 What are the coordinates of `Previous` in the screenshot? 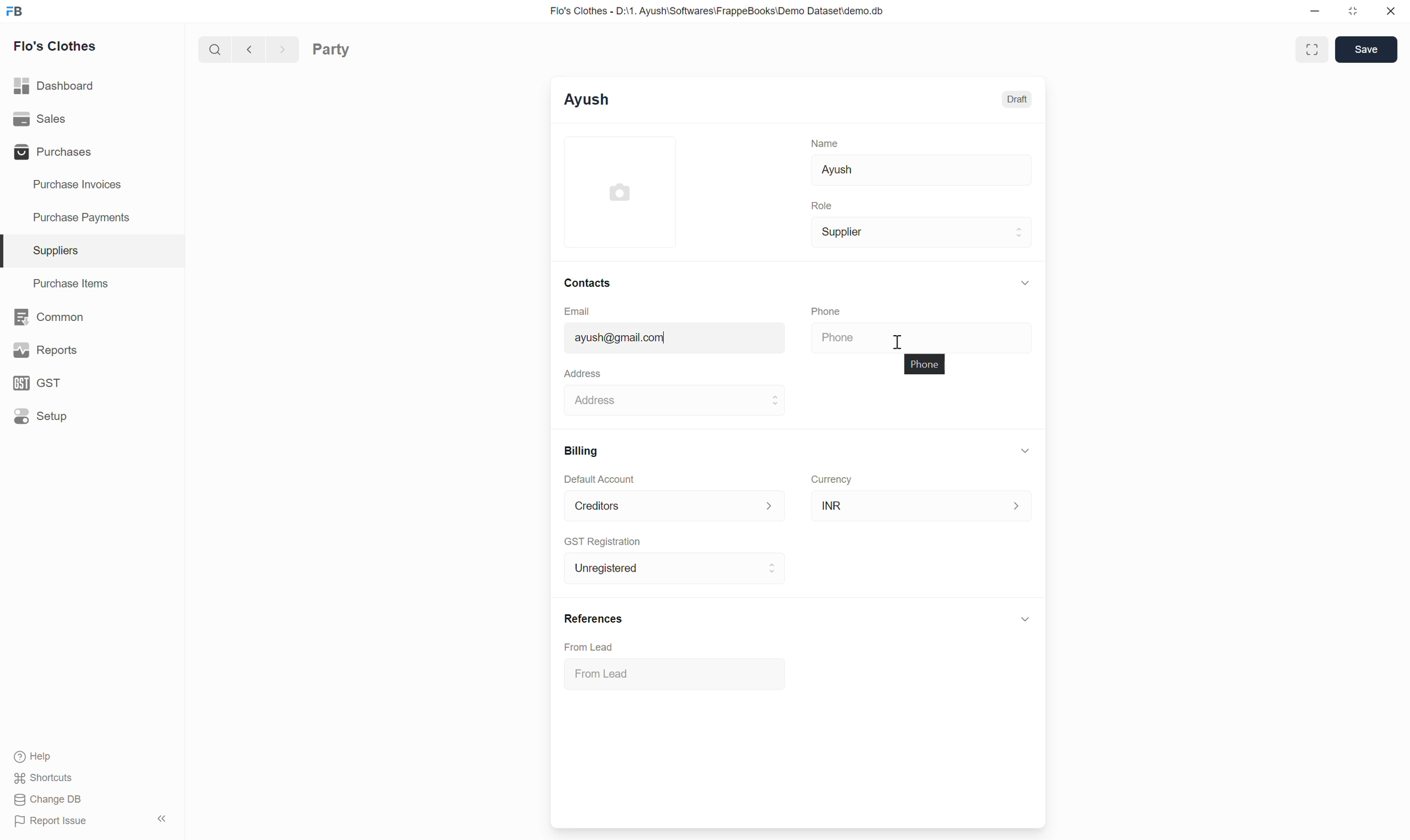 It's located at (249, 49).